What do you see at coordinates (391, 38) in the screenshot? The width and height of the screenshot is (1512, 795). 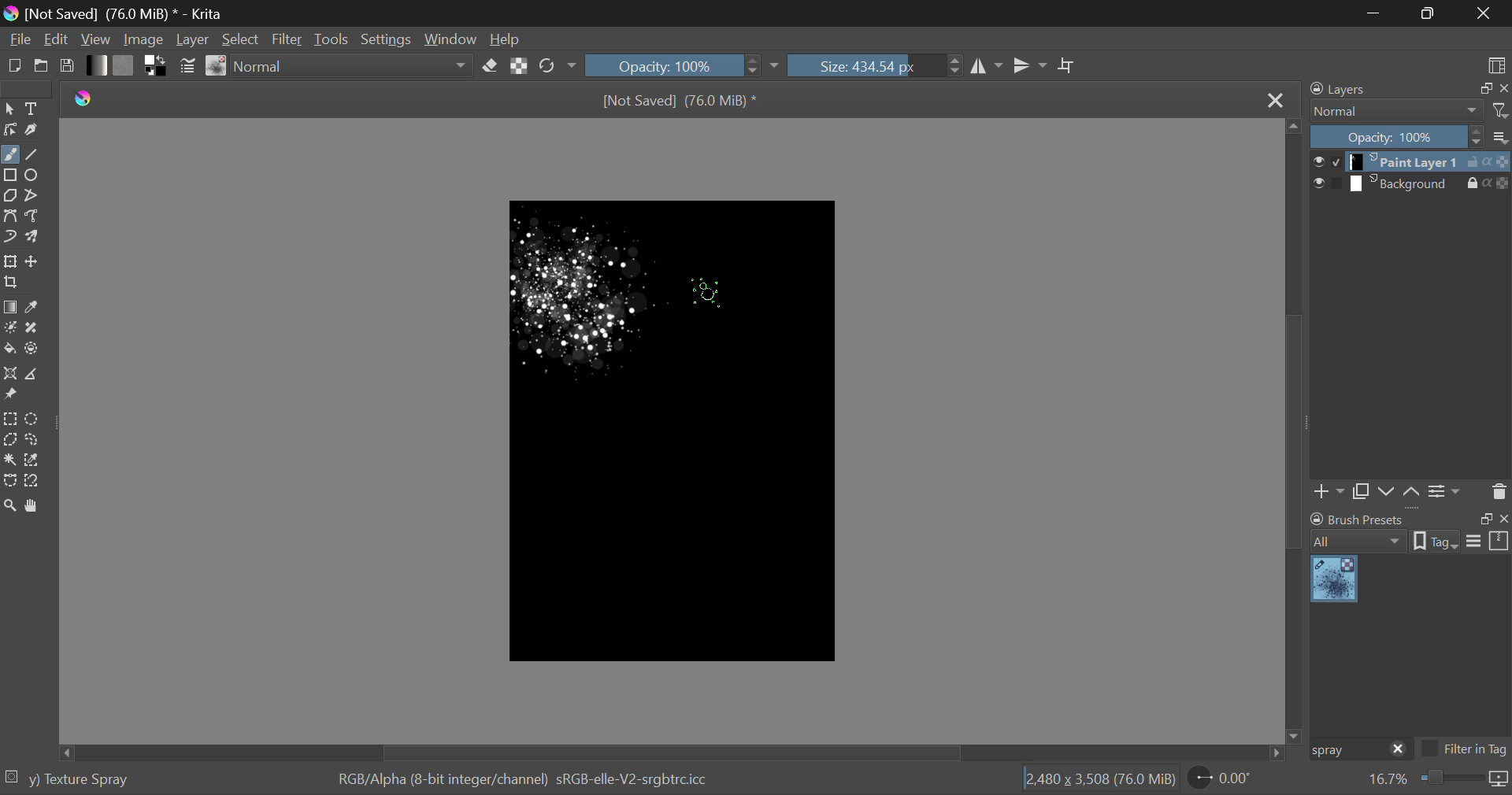 I see `Settings` at bounding box center [391, 38].